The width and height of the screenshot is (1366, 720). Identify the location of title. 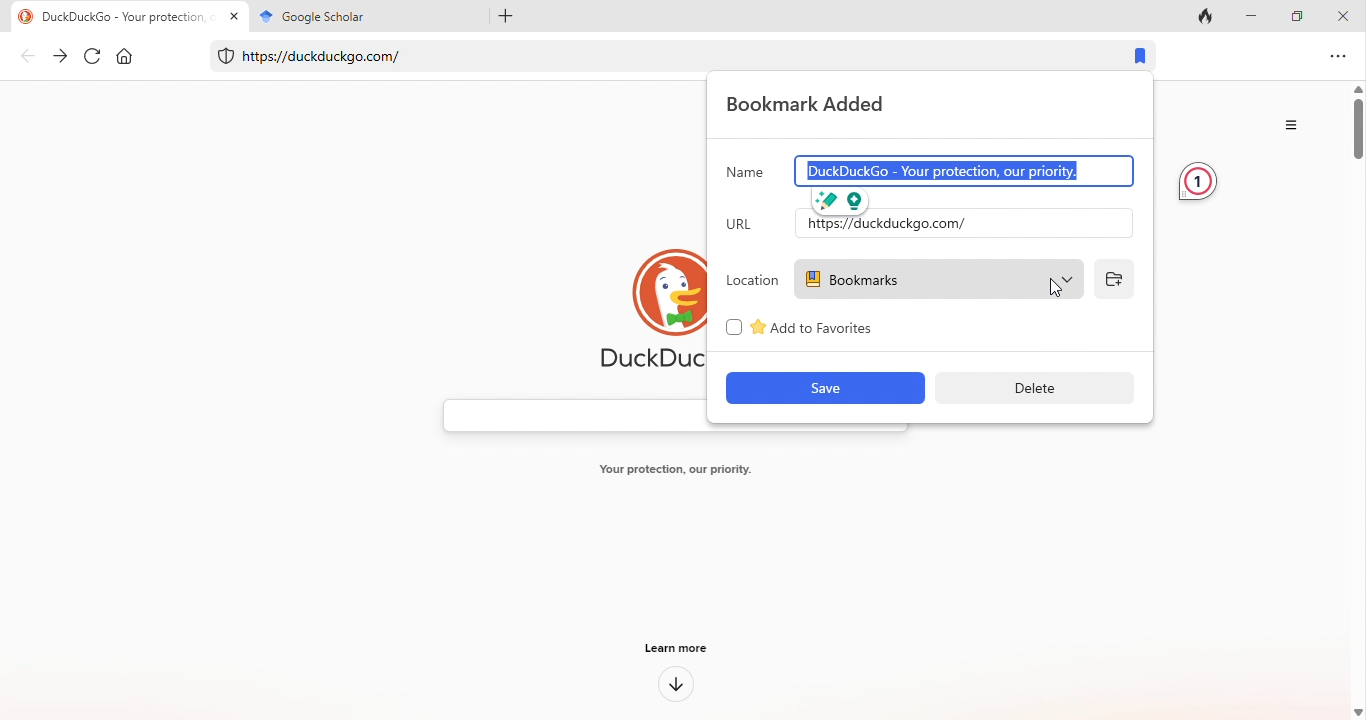
(362, 16).